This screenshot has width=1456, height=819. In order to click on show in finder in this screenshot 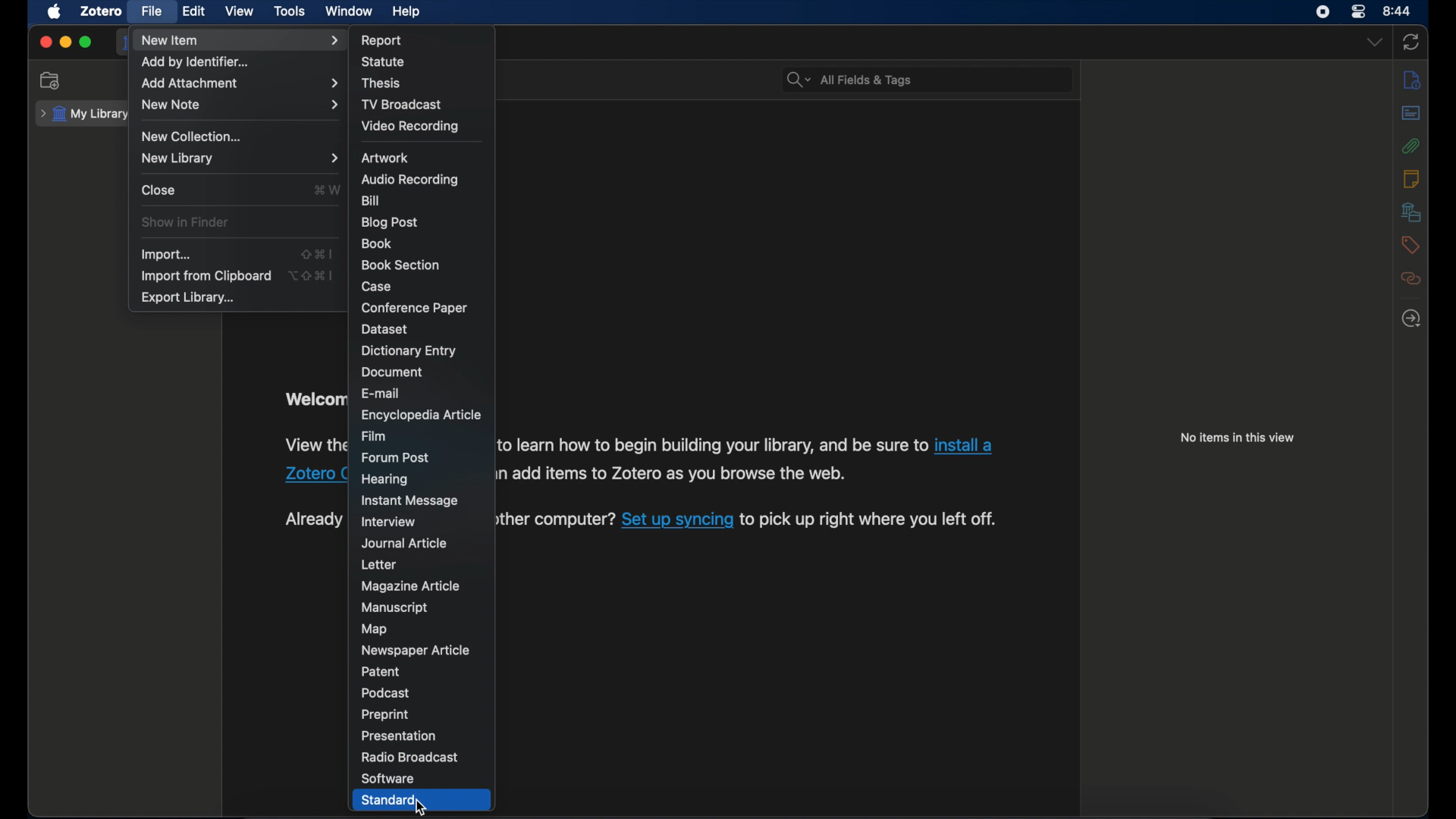, I will do `click(186, 222)`.